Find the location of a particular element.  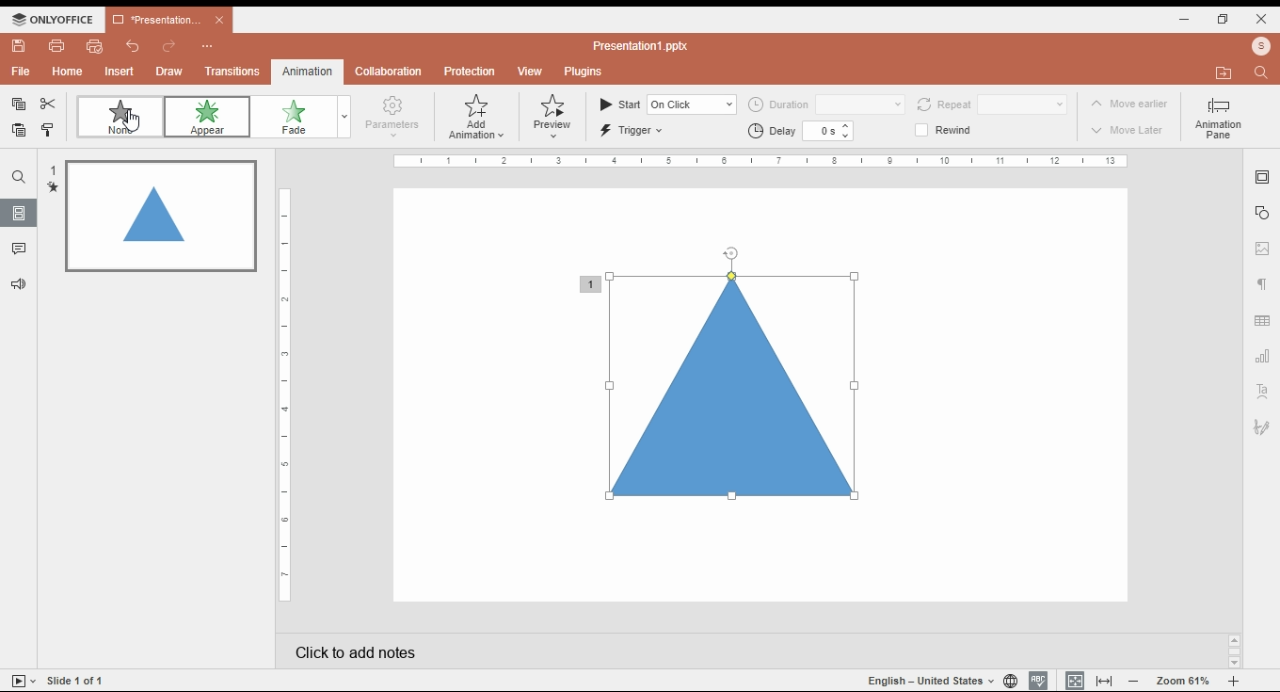

animation duration is located at coordinates (826, 105).